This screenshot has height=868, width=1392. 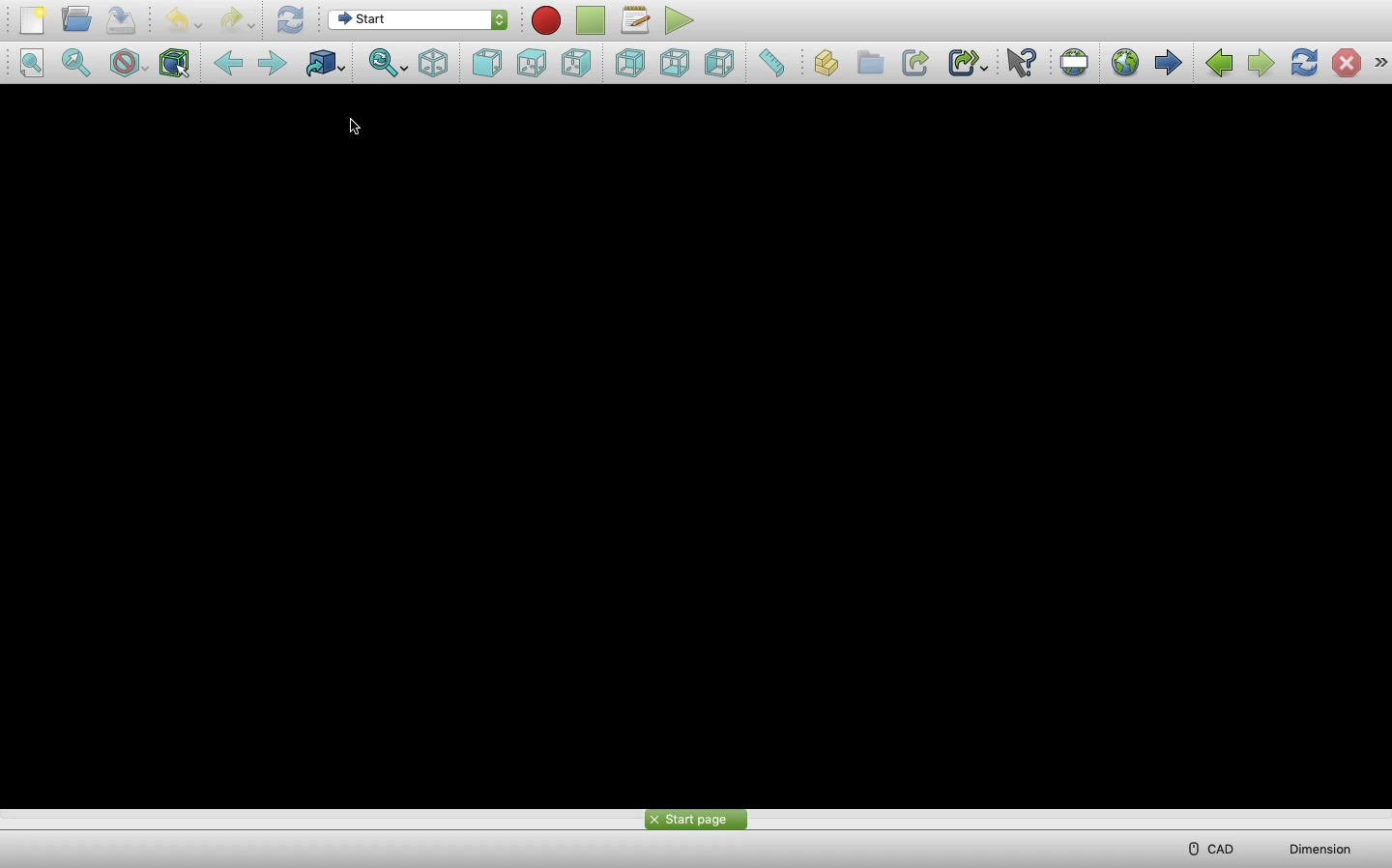 What do you see at coordinates (967, 63) in the screenshot?
I see `Make Sub Link` at bounding box center [967, 63].